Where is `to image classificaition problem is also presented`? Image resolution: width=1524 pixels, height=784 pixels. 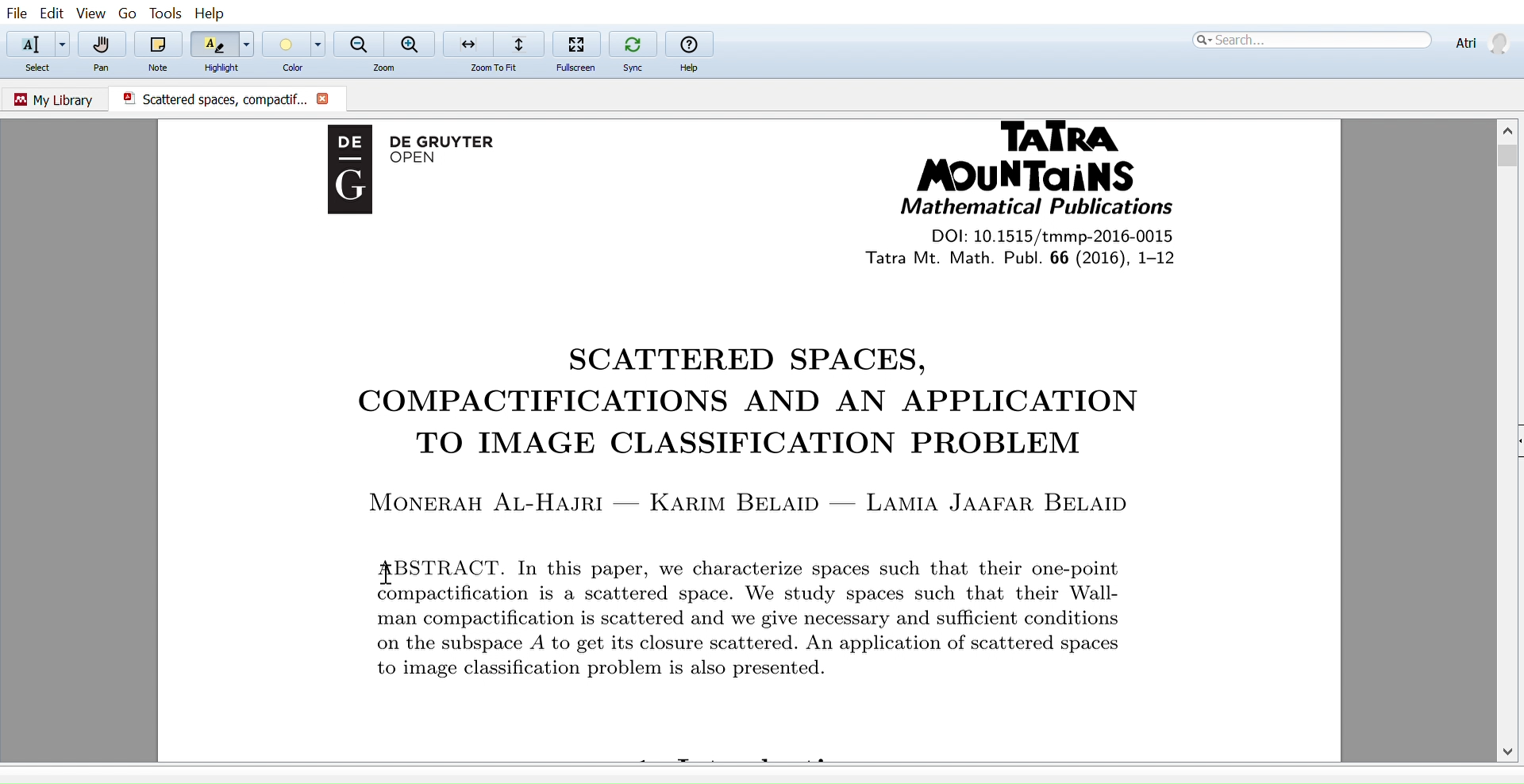
to image classificaition problem is also presented is located at coordinates (598, 669).